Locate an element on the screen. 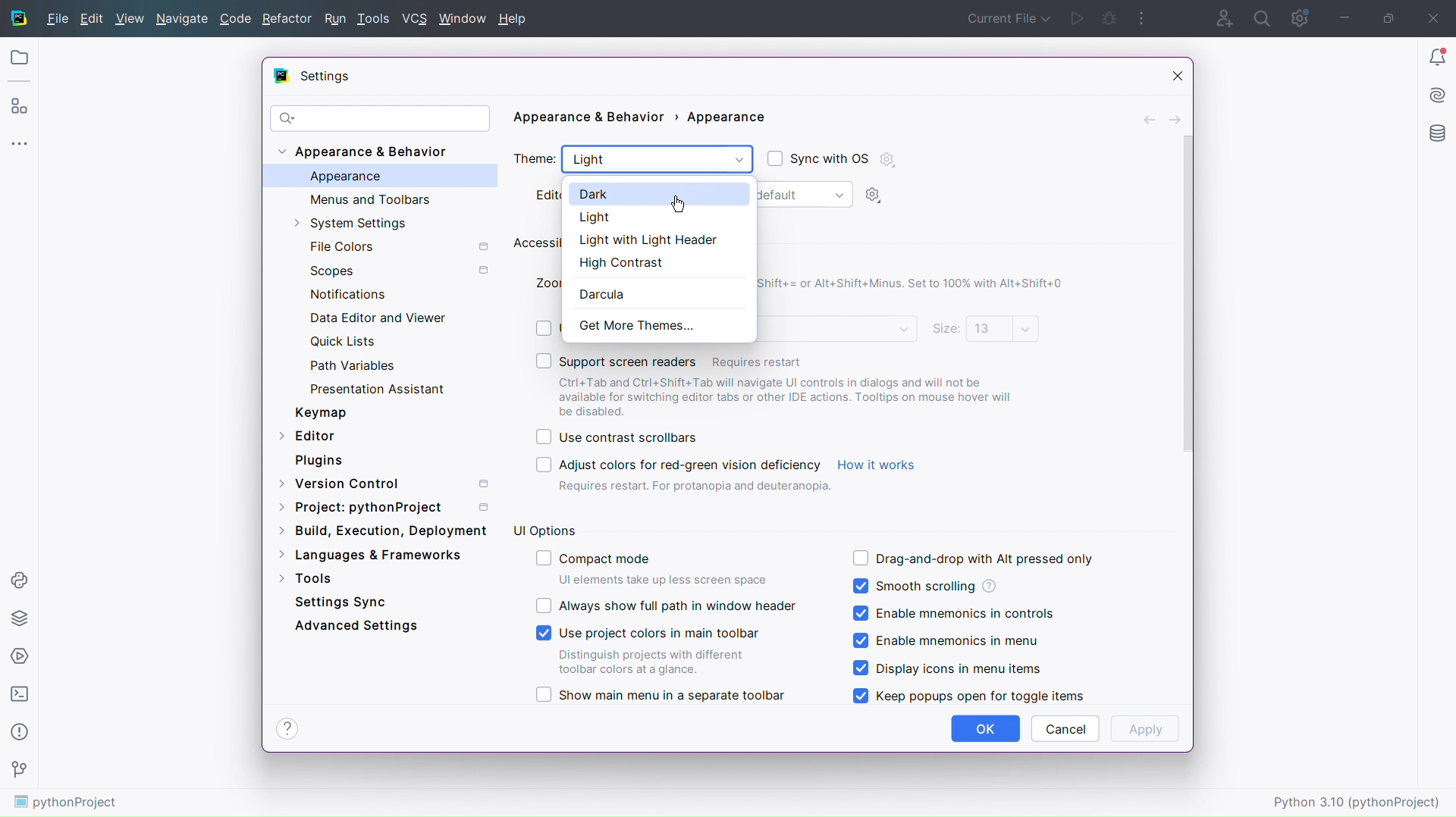 This screenshot has width=1456, height=817. Advanced Settings is located at coordinates (359, 624).